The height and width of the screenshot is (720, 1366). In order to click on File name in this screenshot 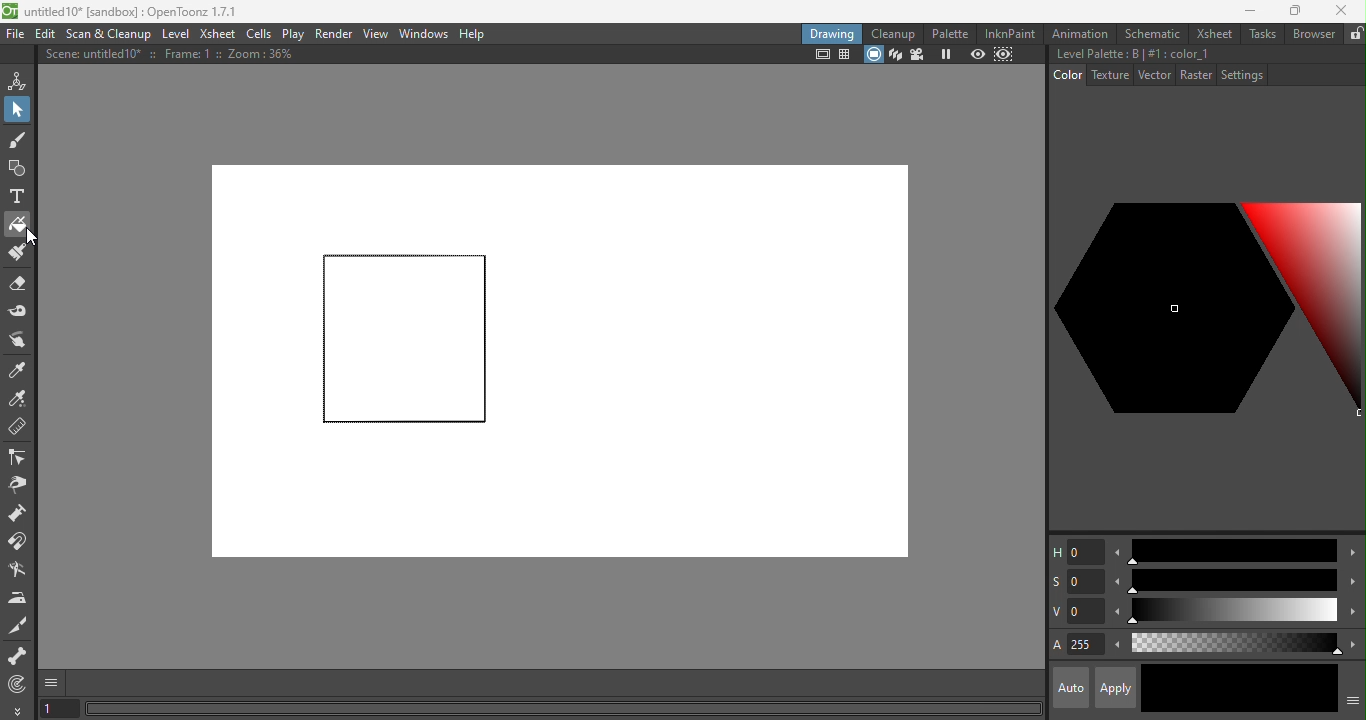, I will do `click(139, 12)`.